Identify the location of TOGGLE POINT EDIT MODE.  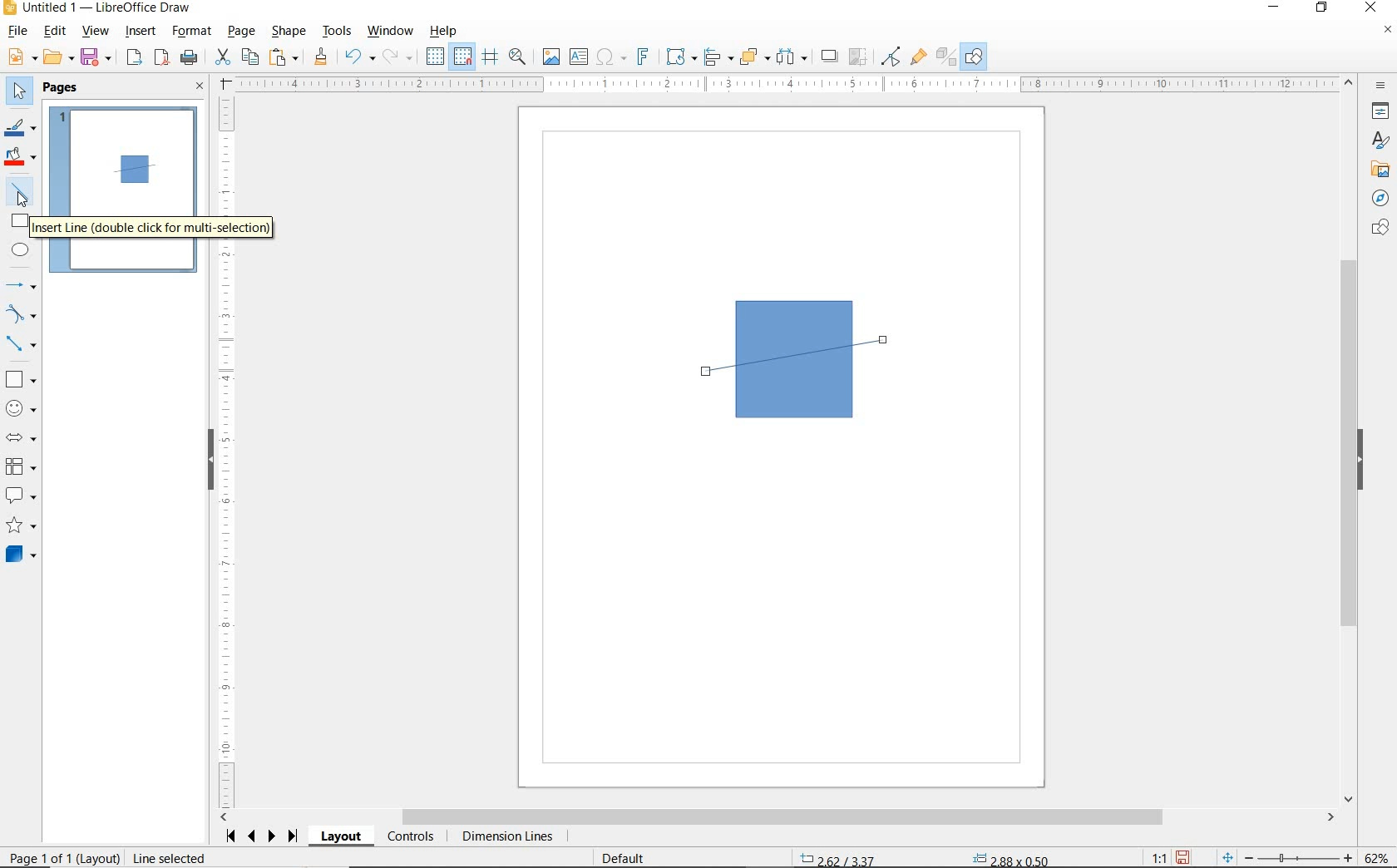
(892, 58).